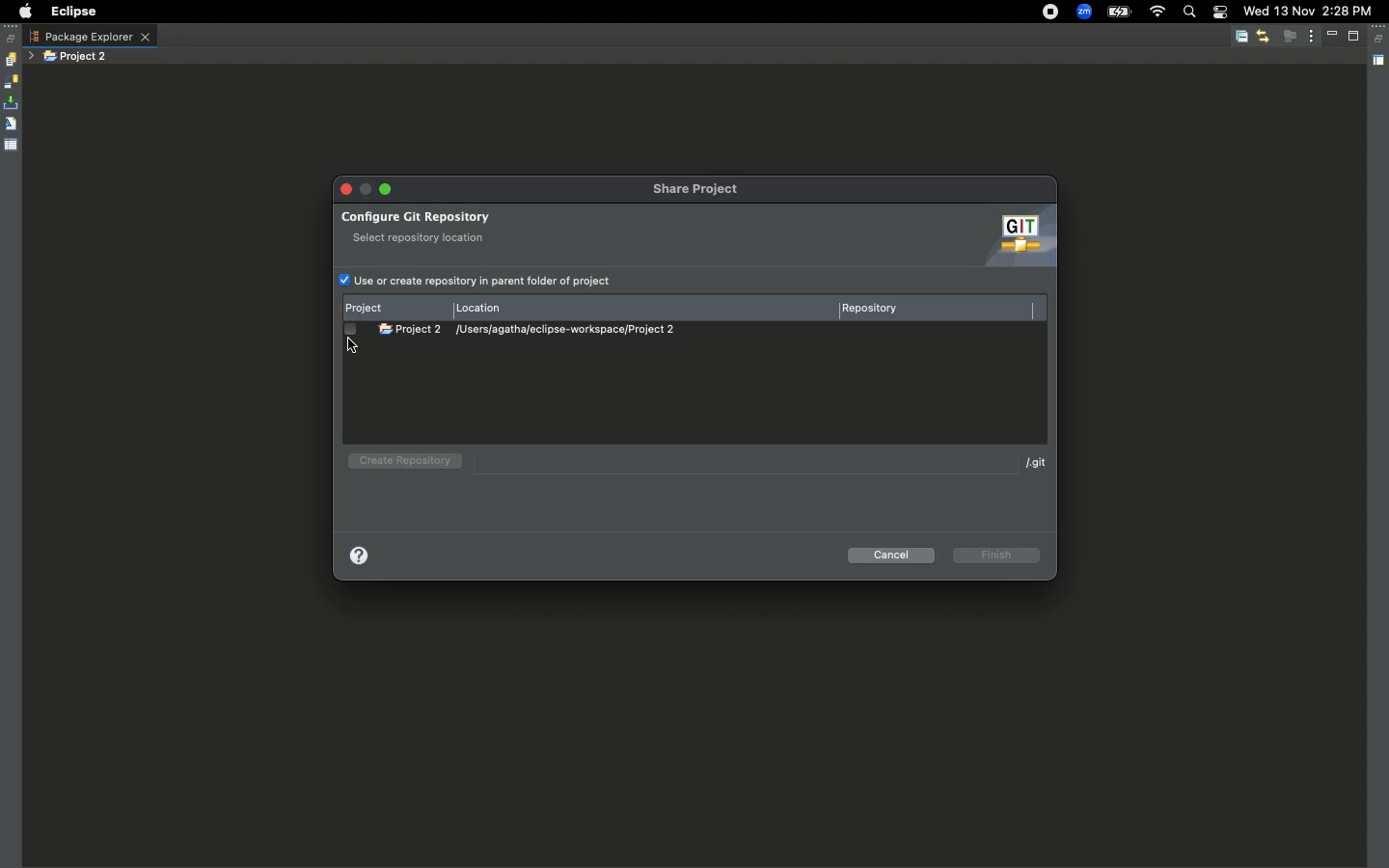 This screenshot has height=868, width=1389. I want to click on Properties, so click(12, 144).